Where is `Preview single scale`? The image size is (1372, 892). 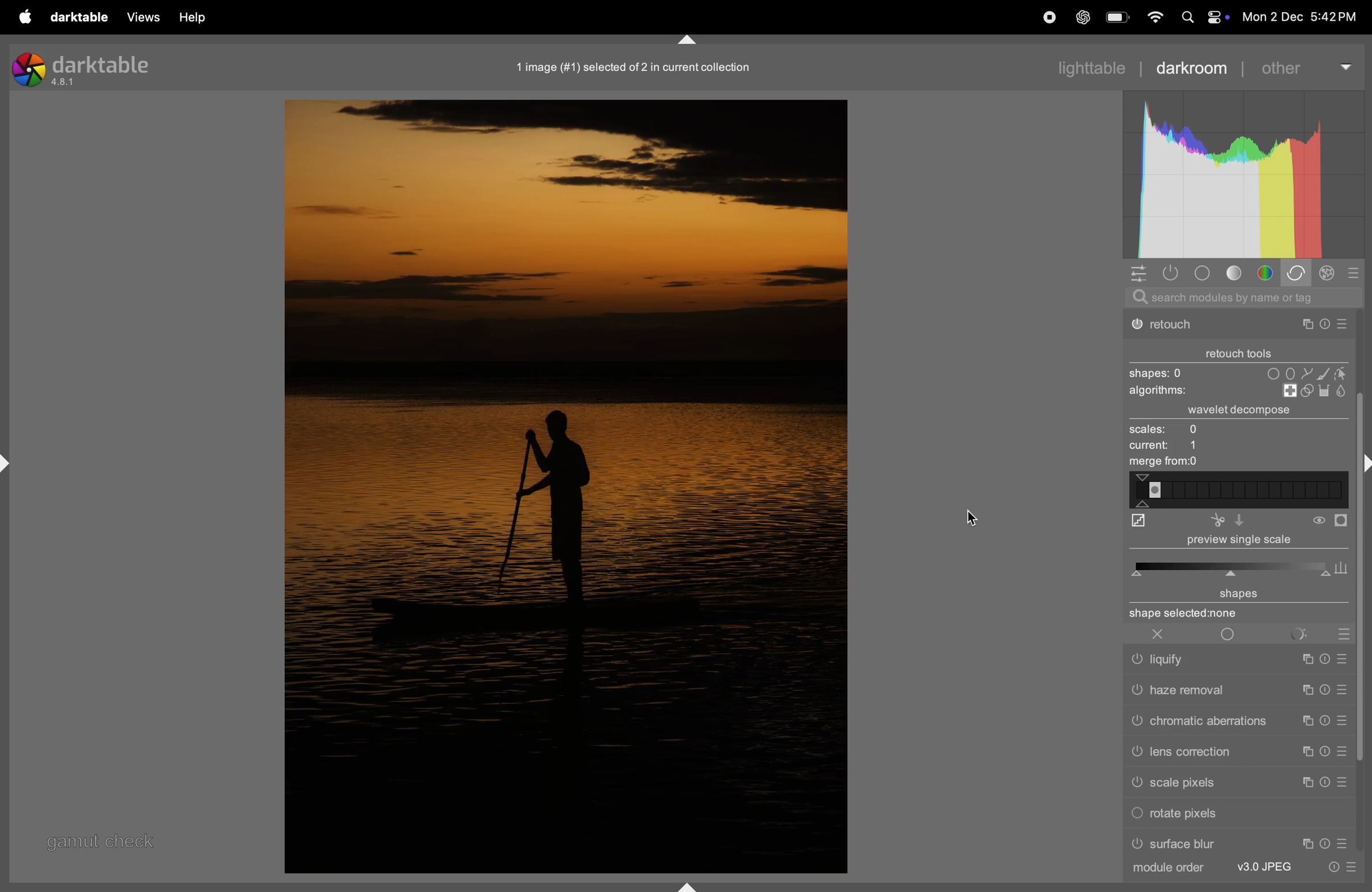
Preview single scale is located at coordinates (1230, 557).